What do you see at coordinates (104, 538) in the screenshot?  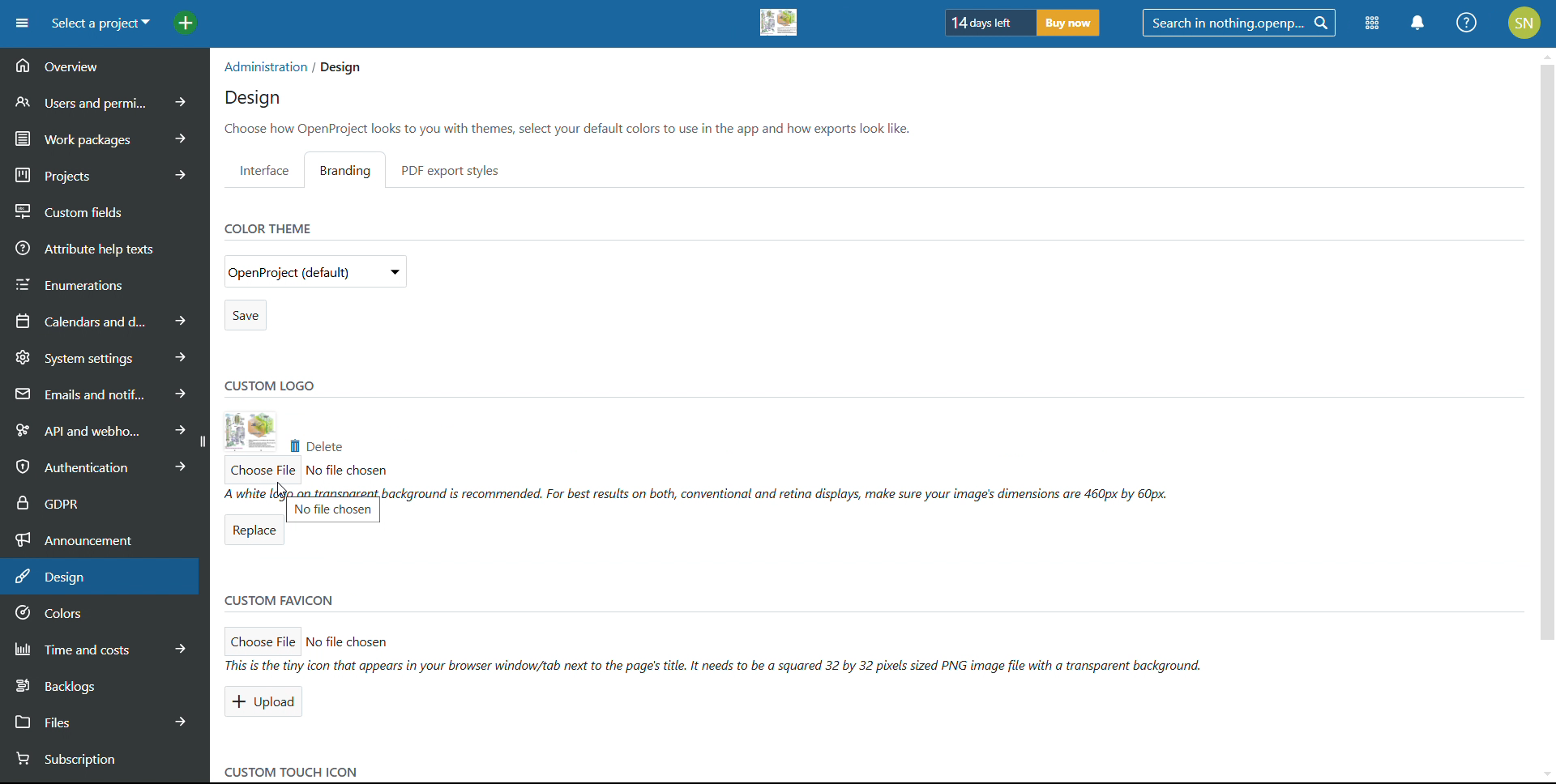 I see `announcement` at bounding box center [104, 538].